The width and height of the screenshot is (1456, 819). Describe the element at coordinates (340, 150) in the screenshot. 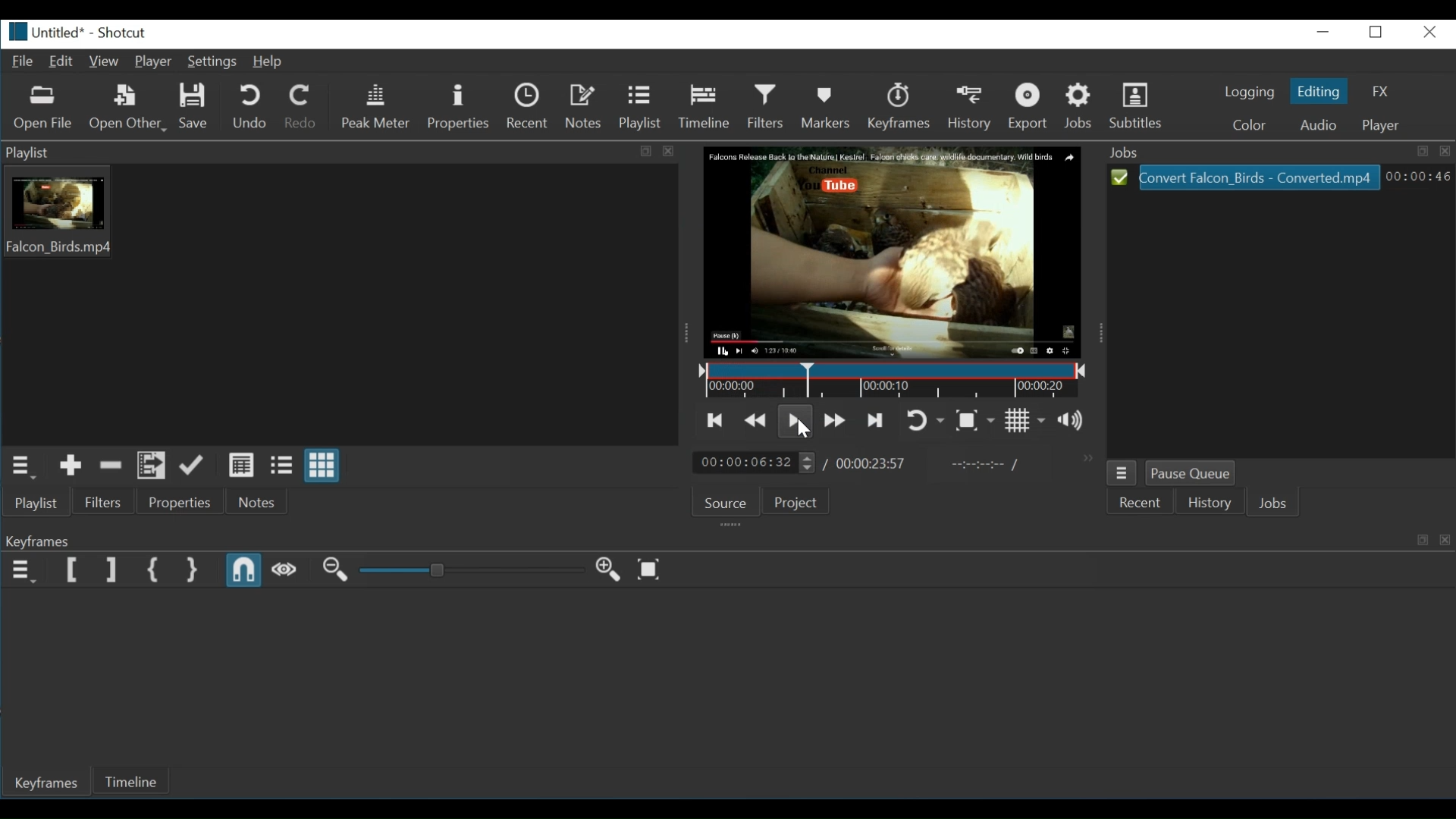

I see `Playlist tab` at that location.